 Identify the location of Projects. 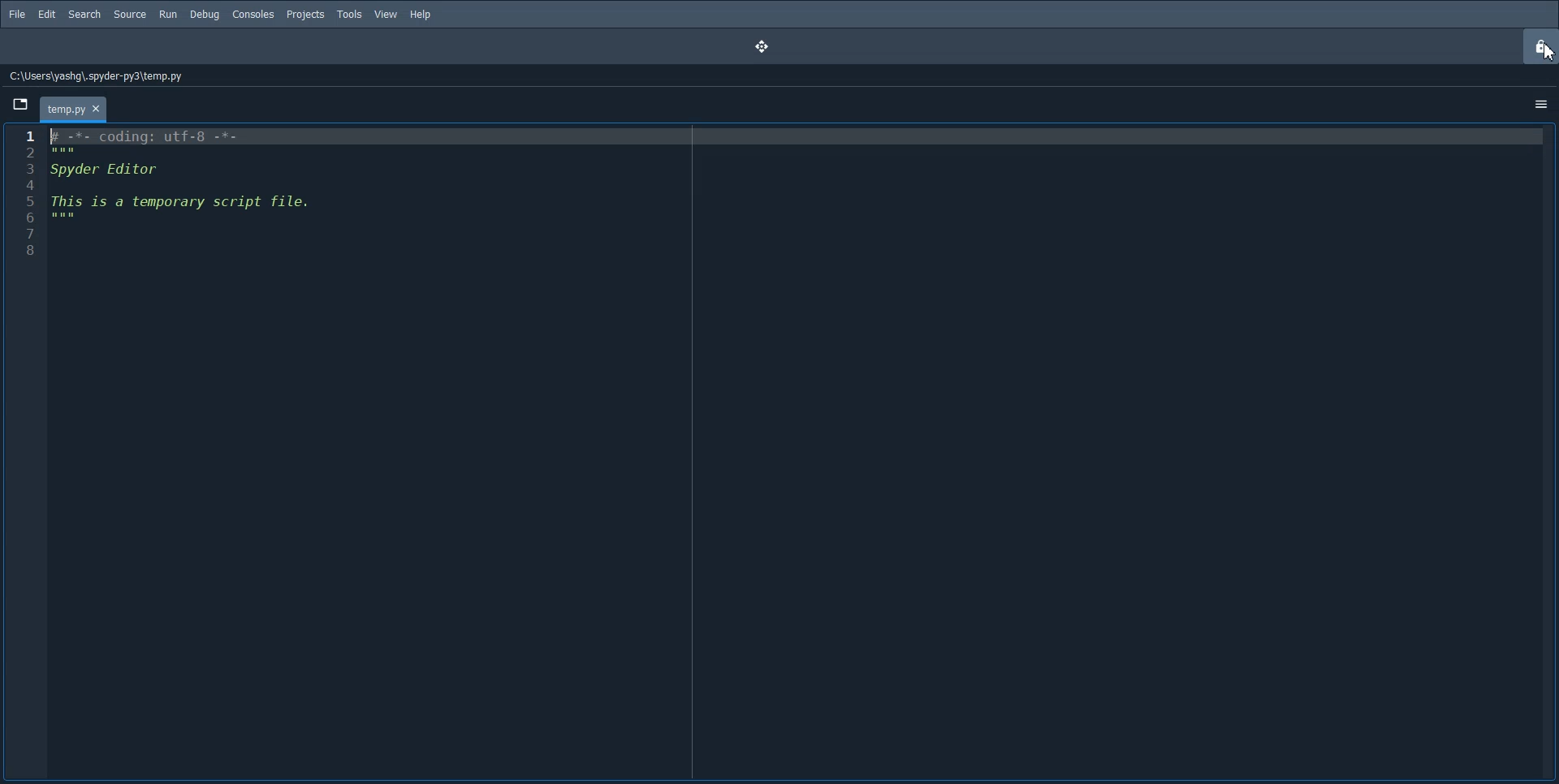
(305, 15).